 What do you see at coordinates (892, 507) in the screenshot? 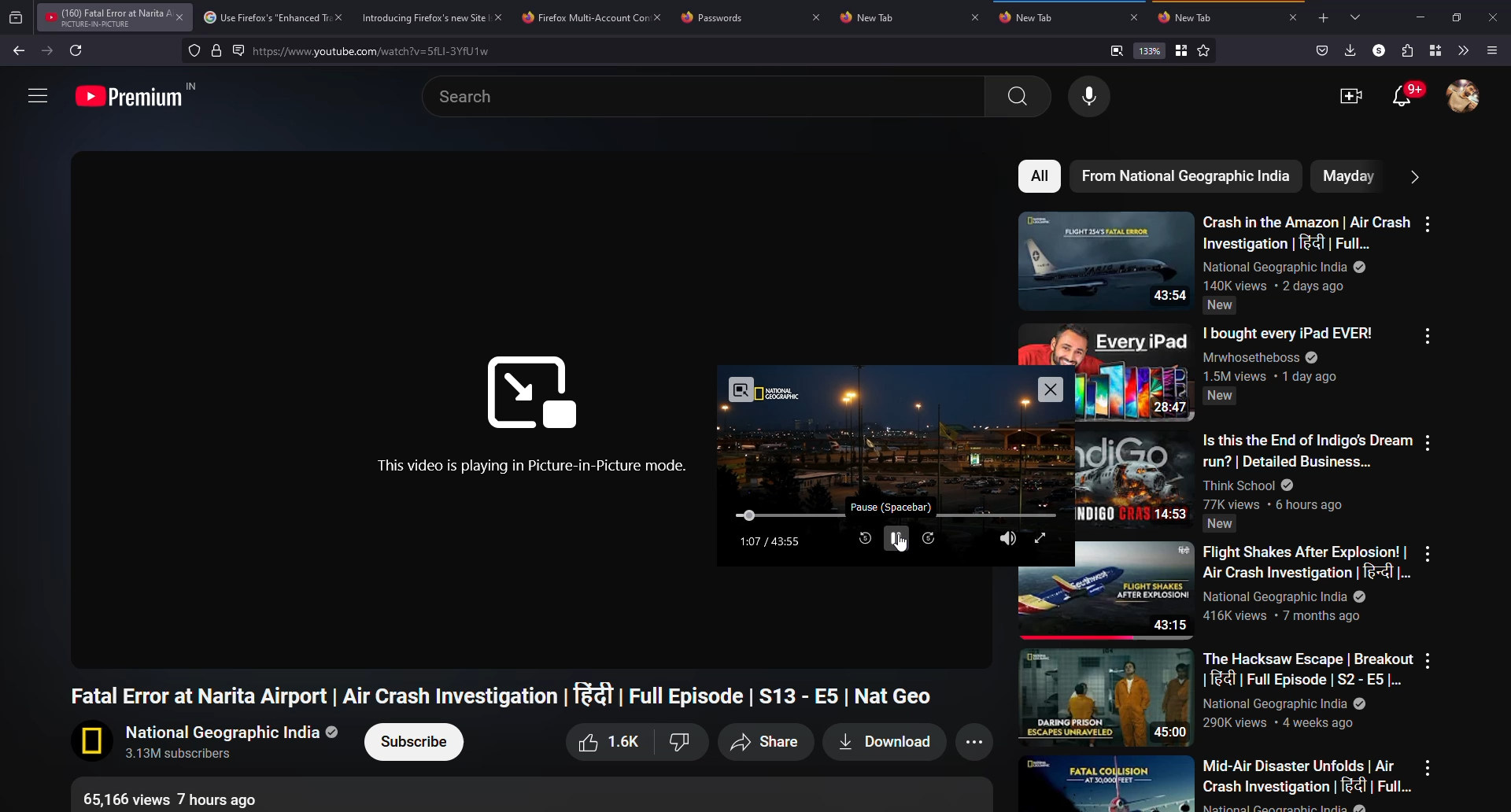
I see `pause` at bounding box center [892, 507].